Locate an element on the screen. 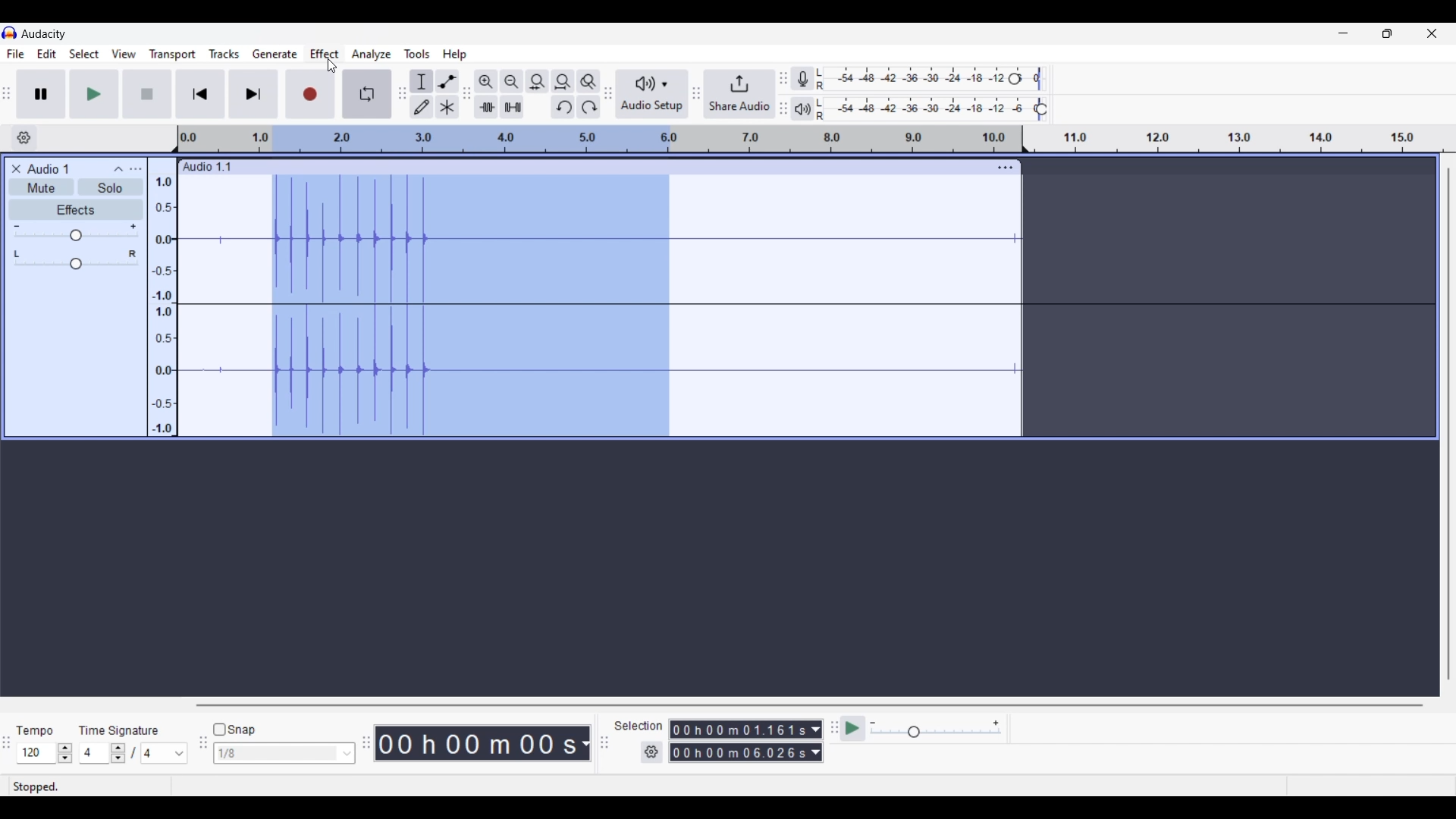  Multi-tool is located at coordinates (447, 106).